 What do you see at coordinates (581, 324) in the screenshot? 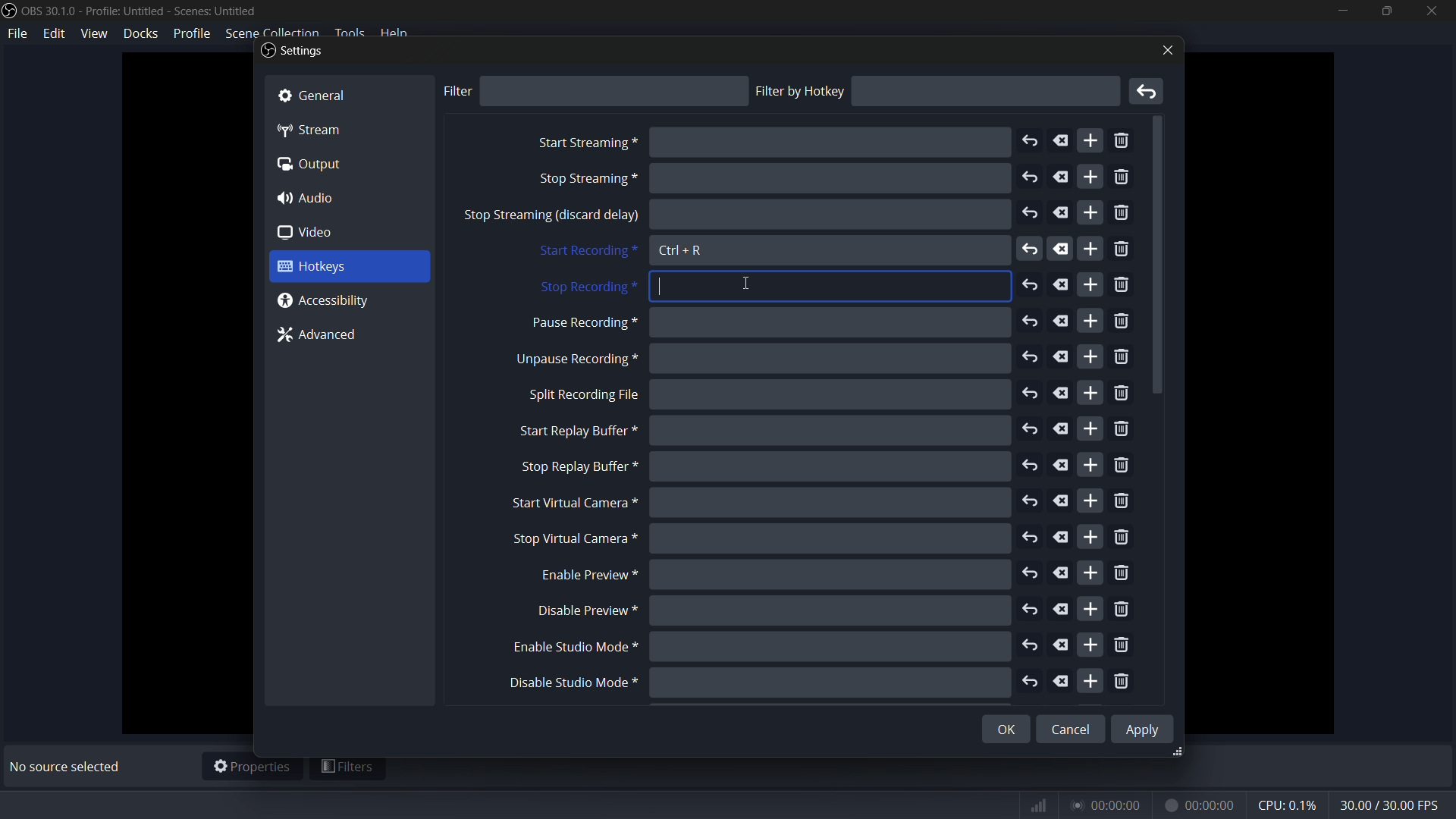
I see `pause recording` at bounding box center [581, 324].